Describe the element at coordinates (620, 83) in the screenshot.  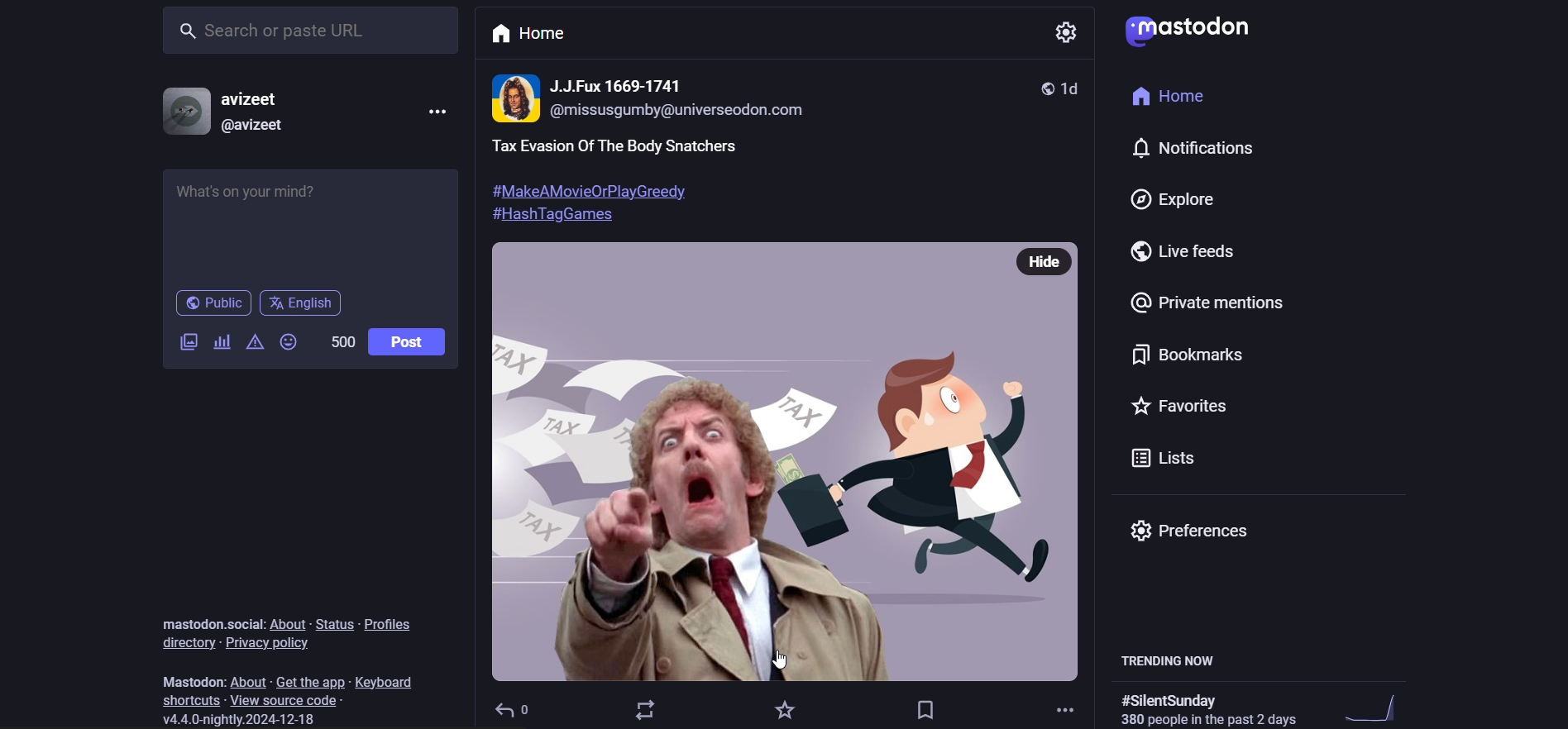
I see `name` at that location.